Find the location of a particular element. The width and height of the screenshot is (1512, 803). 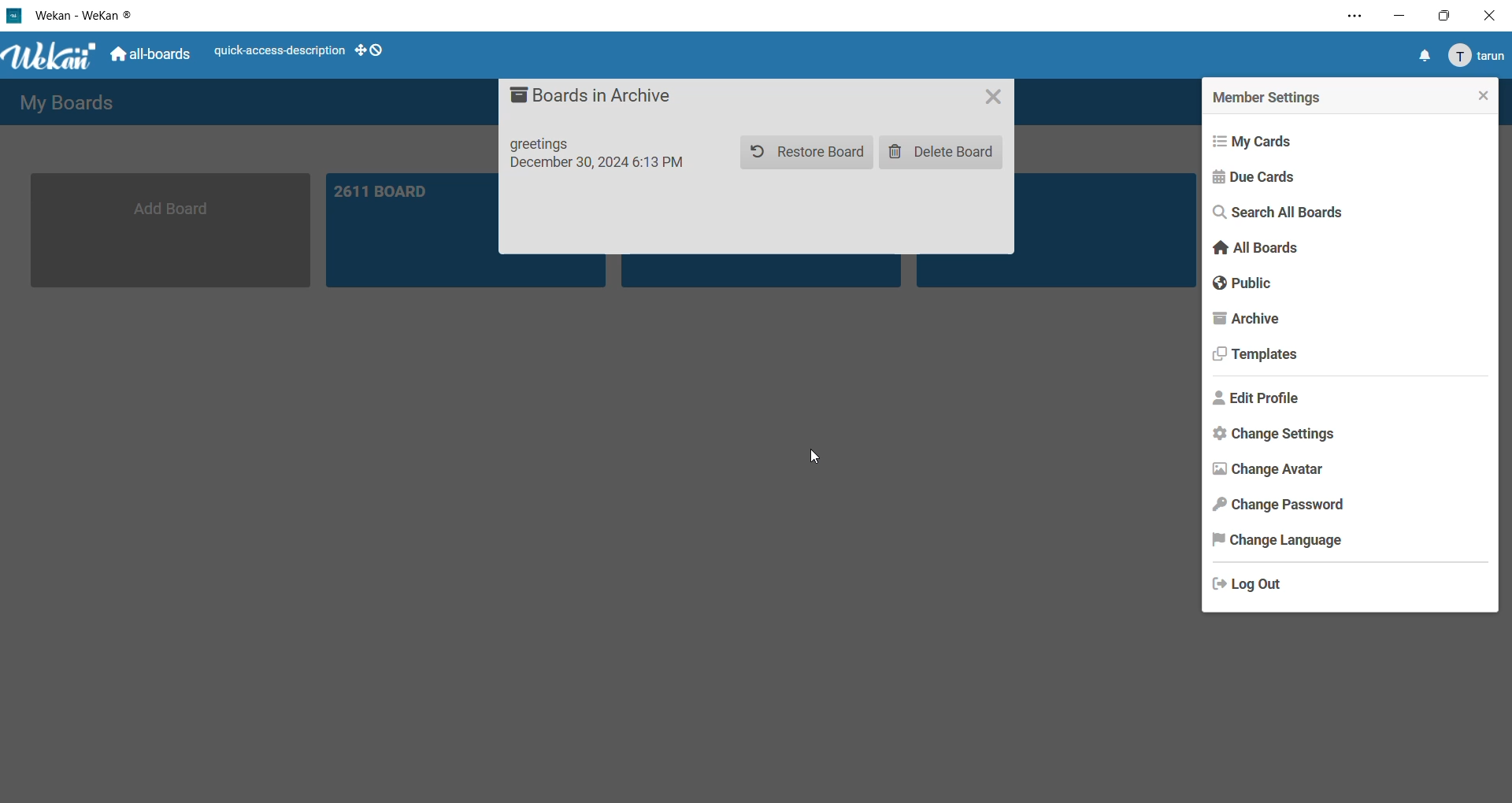

restore board is located at coordinates (807, 150).